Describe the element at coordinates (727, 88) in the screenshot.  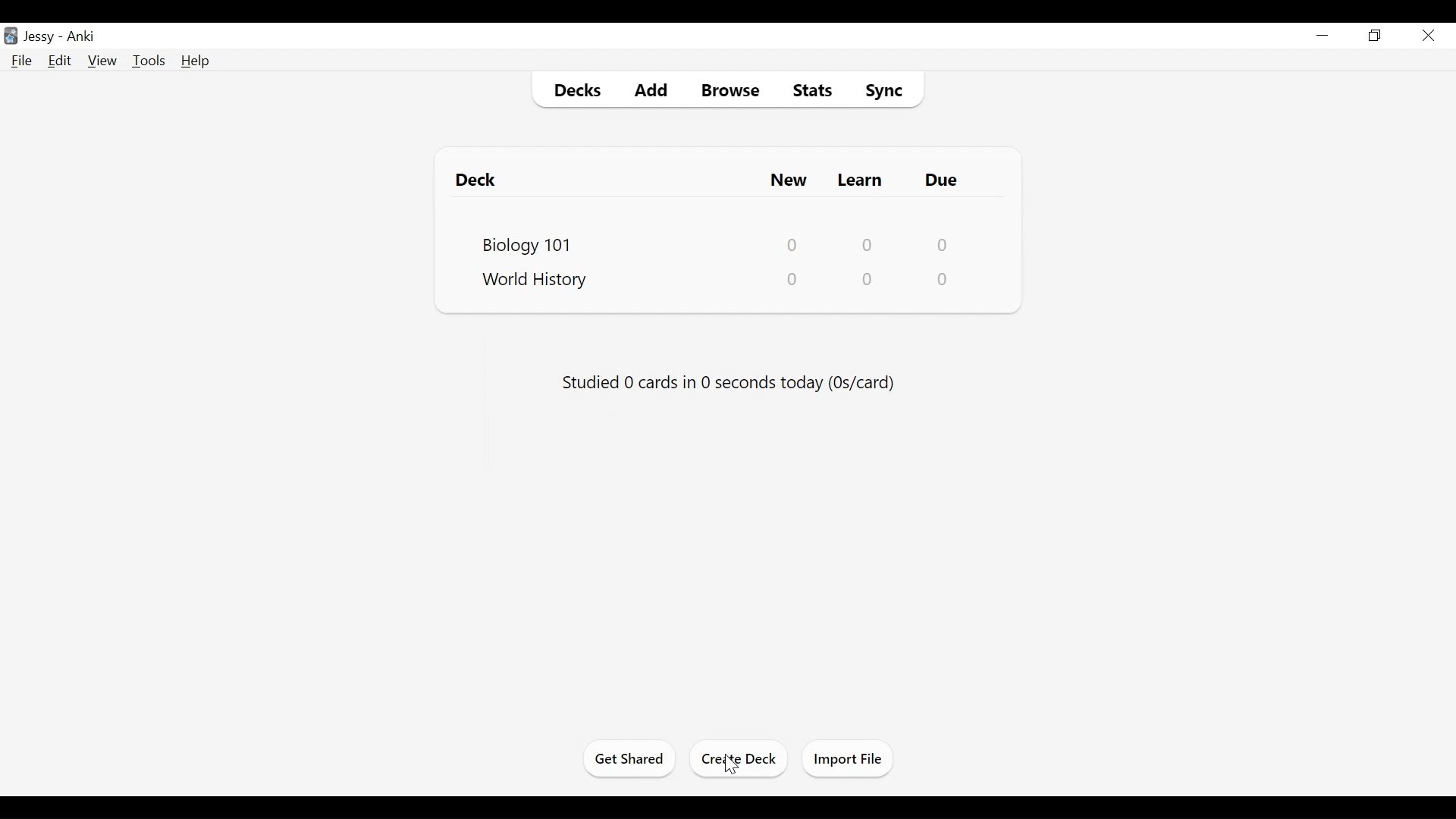
I see `Browse` at that location.